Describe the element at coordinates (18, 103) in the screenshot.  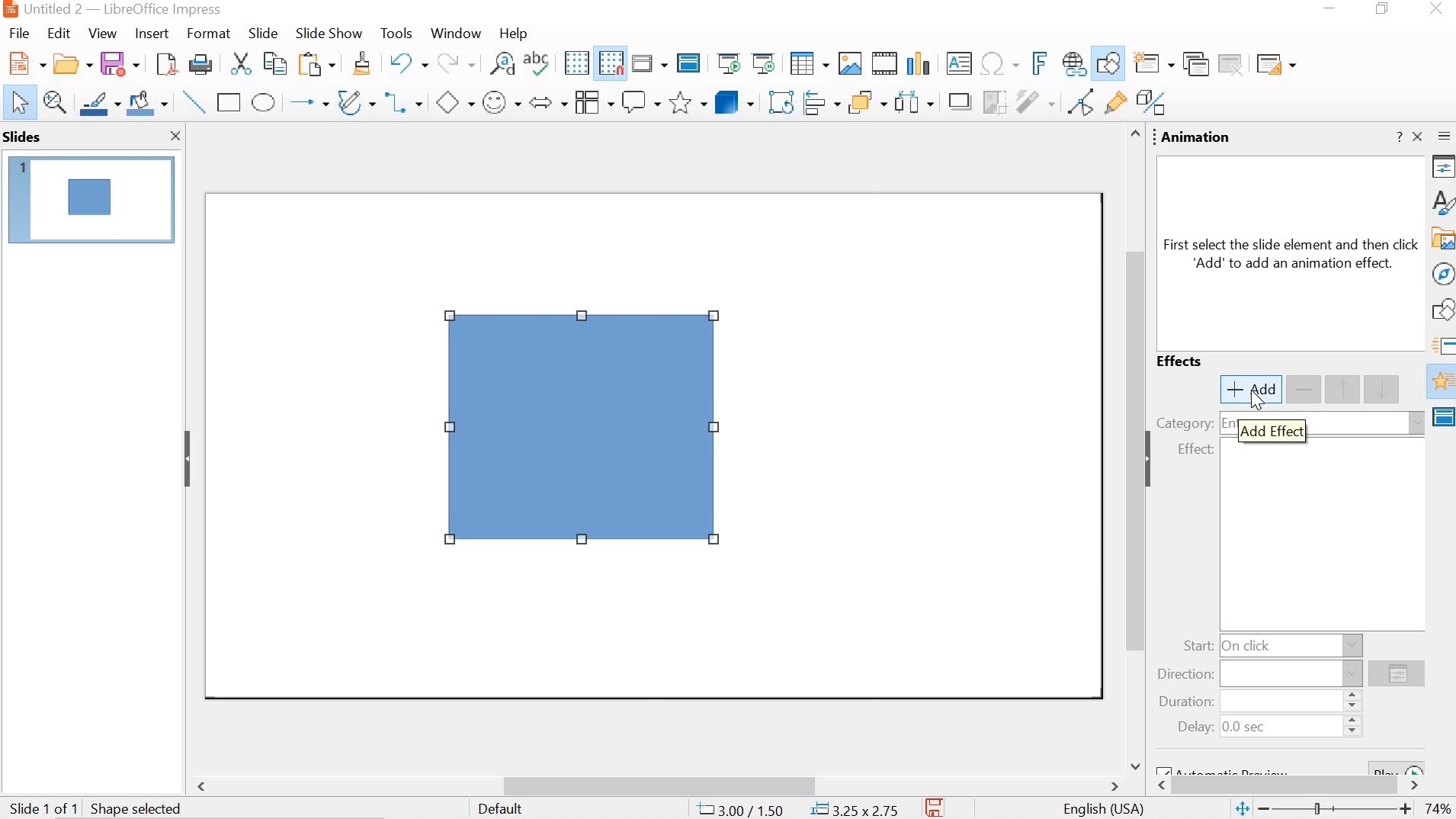
I see `select` at that location.